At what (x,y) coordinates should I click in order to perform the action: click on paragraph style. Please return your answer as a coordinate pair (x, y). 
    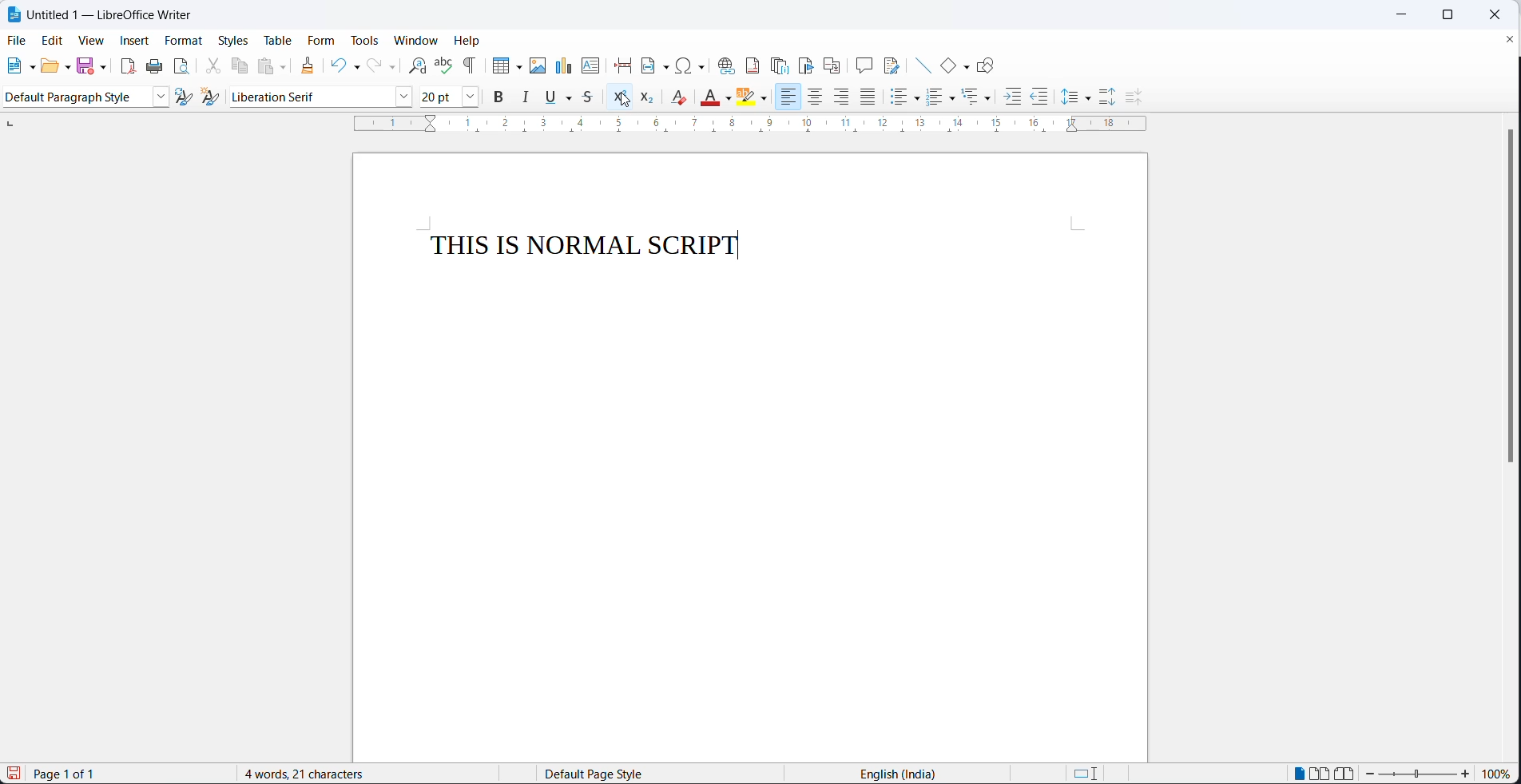
    Looking at the image, I should click on (163, 97).